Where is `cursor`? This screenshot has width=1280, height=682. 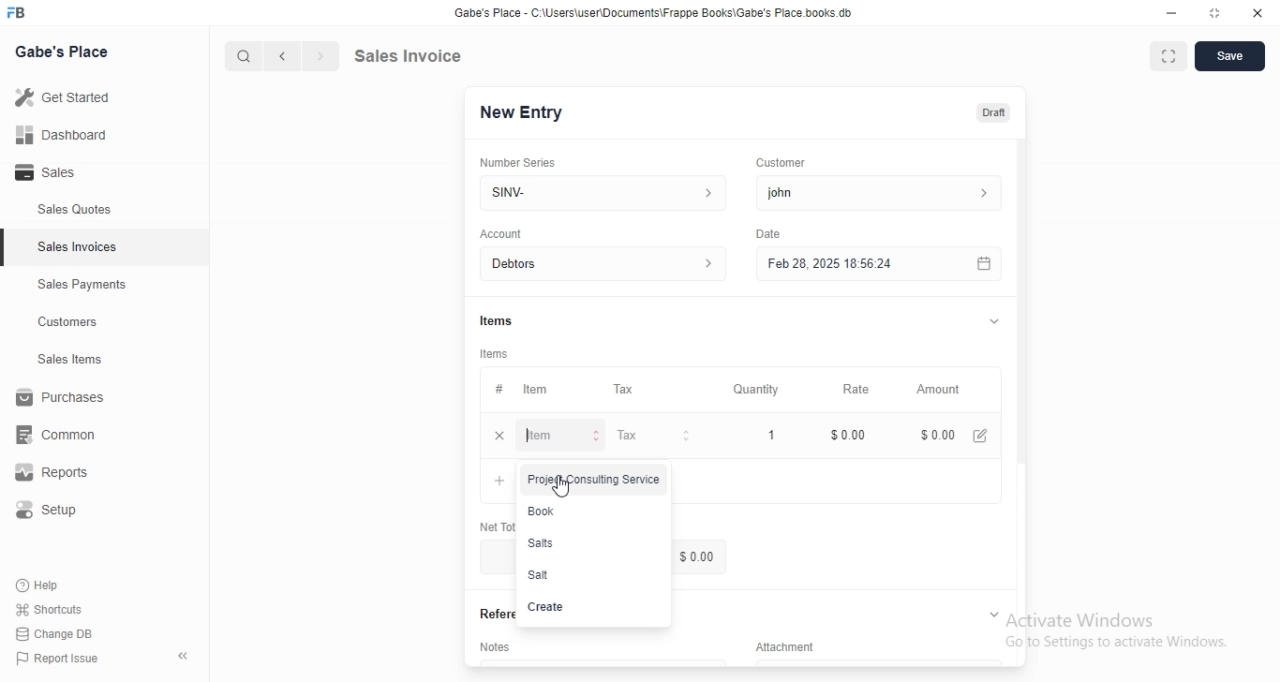
cursor is located at coordinates (564, 487).